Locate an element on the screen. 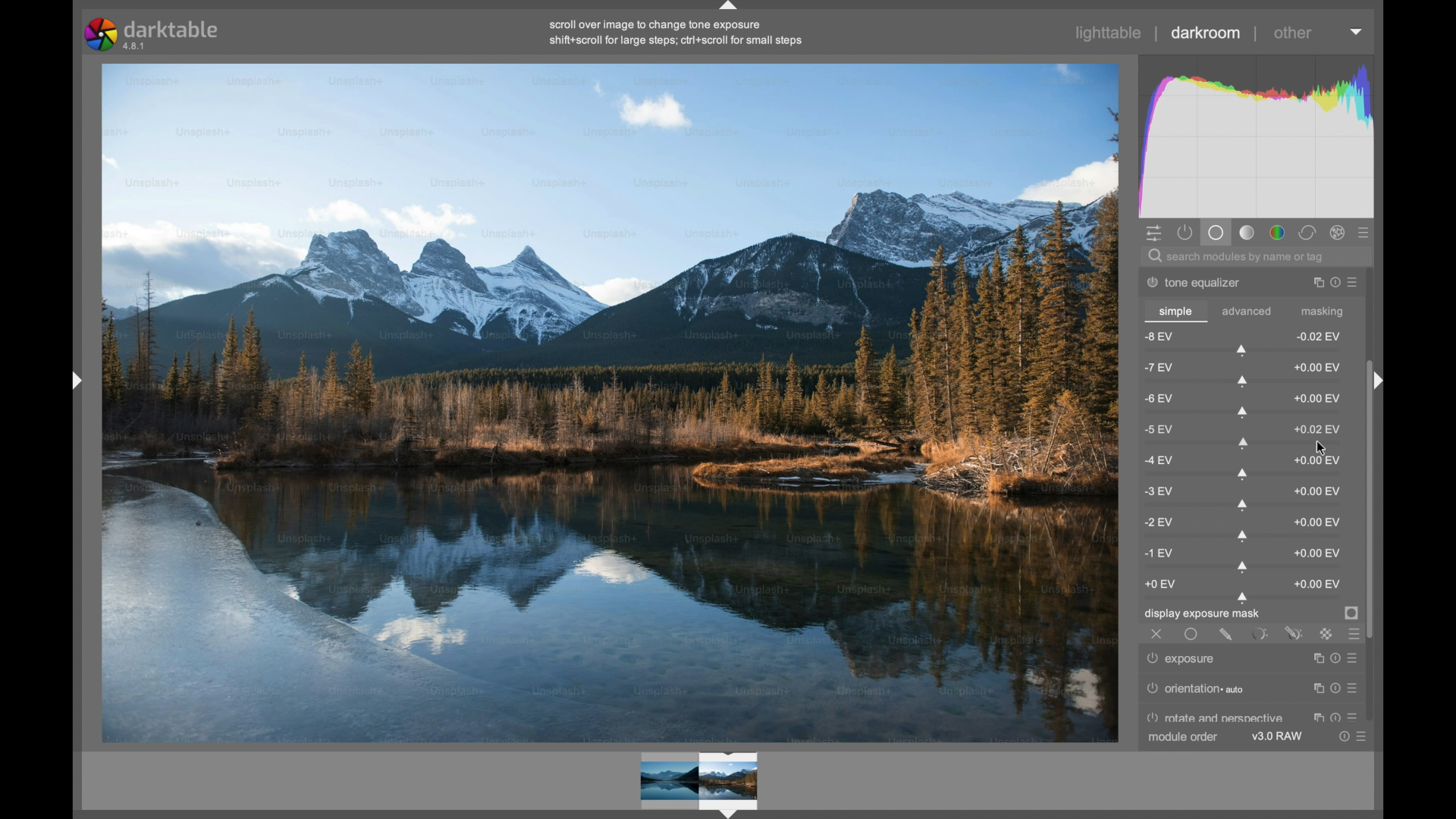 This screenshot has width=1456, height=819. 0.02 ev is located at coordinates (1317, 429).